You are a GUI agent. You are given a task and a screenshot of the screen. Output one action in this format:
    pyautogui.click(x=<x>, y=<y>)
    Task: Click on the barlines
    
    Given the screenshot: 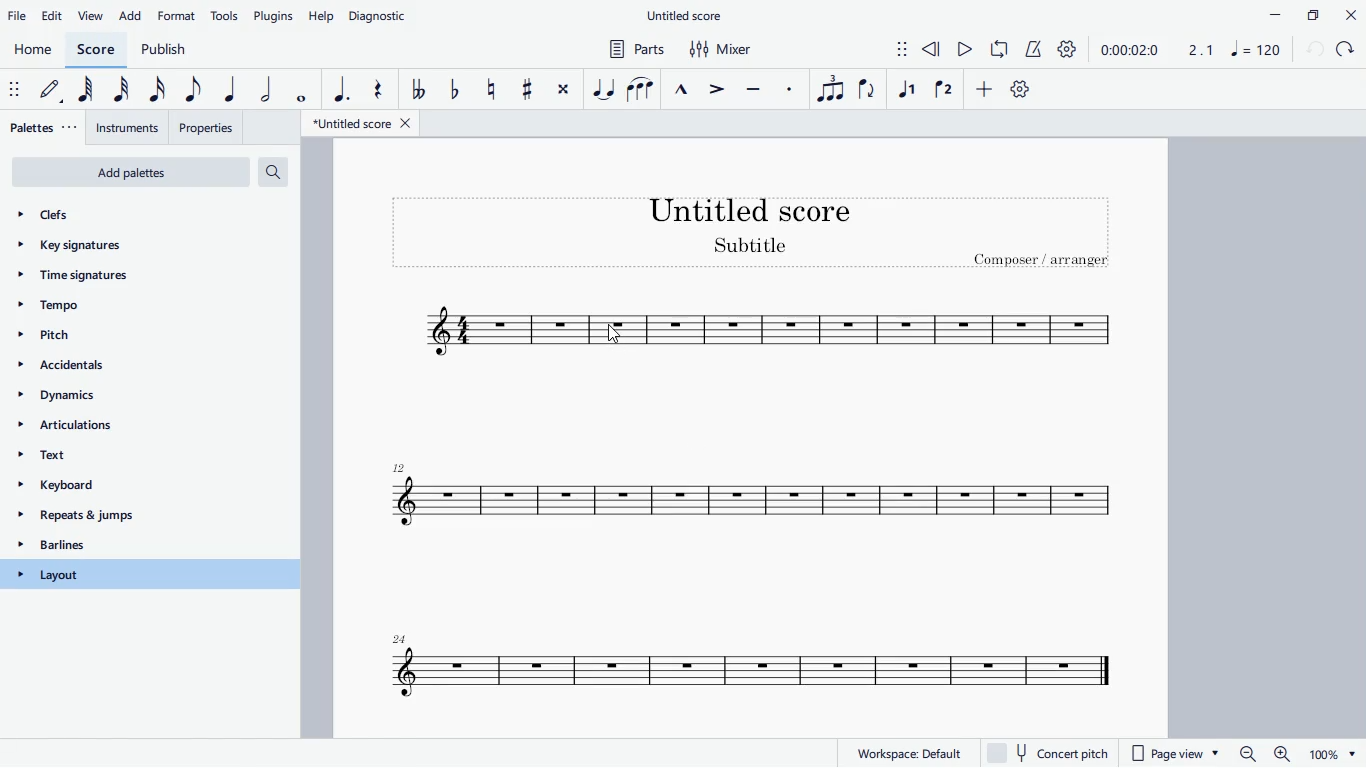 What is the action you would take?
    pyautogui.click(x=131, y=547)
    